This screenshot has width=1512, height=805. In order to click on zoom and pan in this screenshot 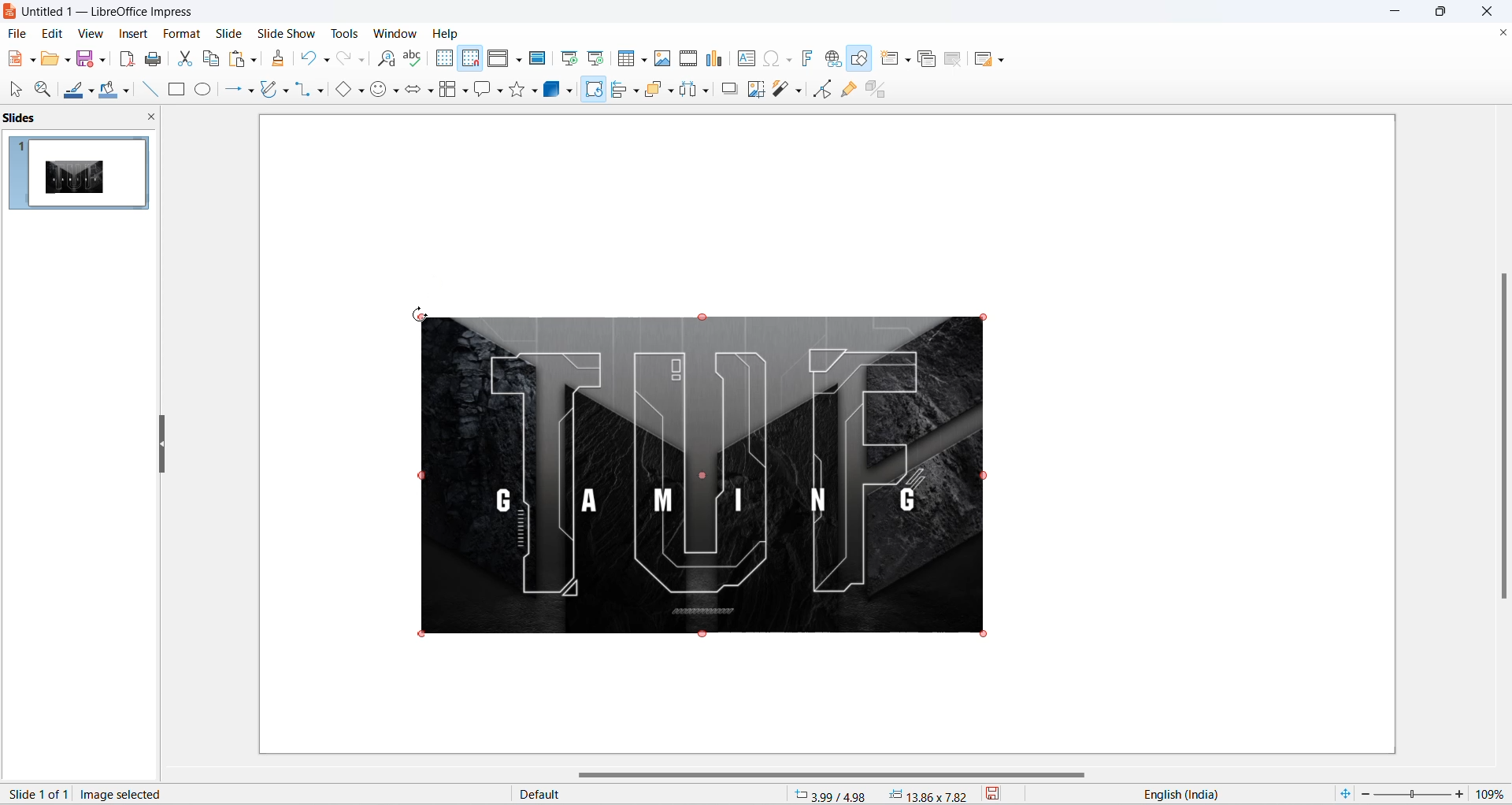, I will do `click(41, 90)`.